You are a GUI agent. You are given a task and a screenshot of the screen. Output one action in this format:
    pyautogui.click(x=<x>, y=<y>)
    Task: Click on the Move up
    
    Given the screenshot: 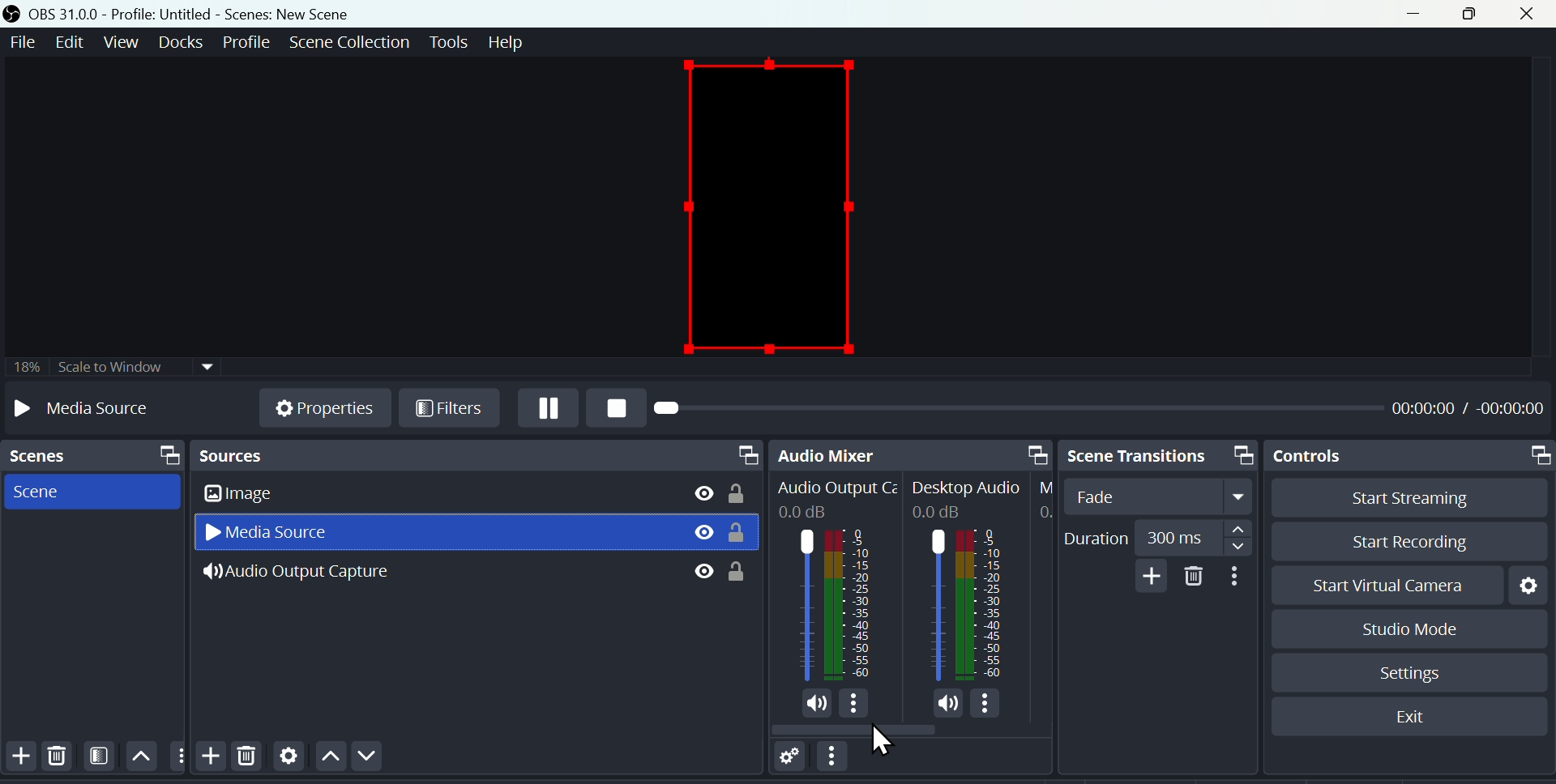 What is the action you would take?
    pyautogui.click(x=327, y=760)
    